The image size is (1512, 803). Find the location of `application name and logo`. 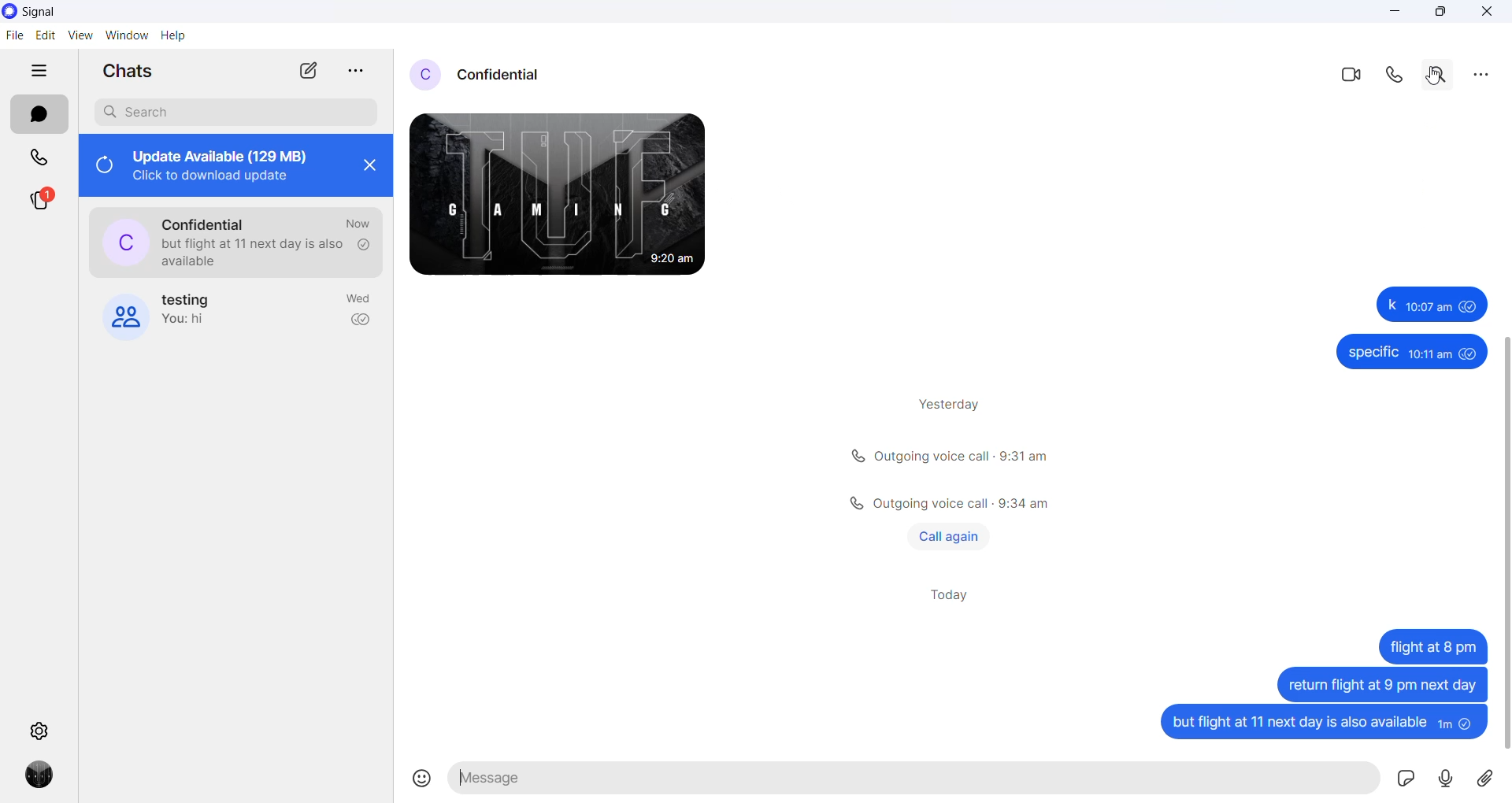

application name and logo is located at coordinates (42, 13).